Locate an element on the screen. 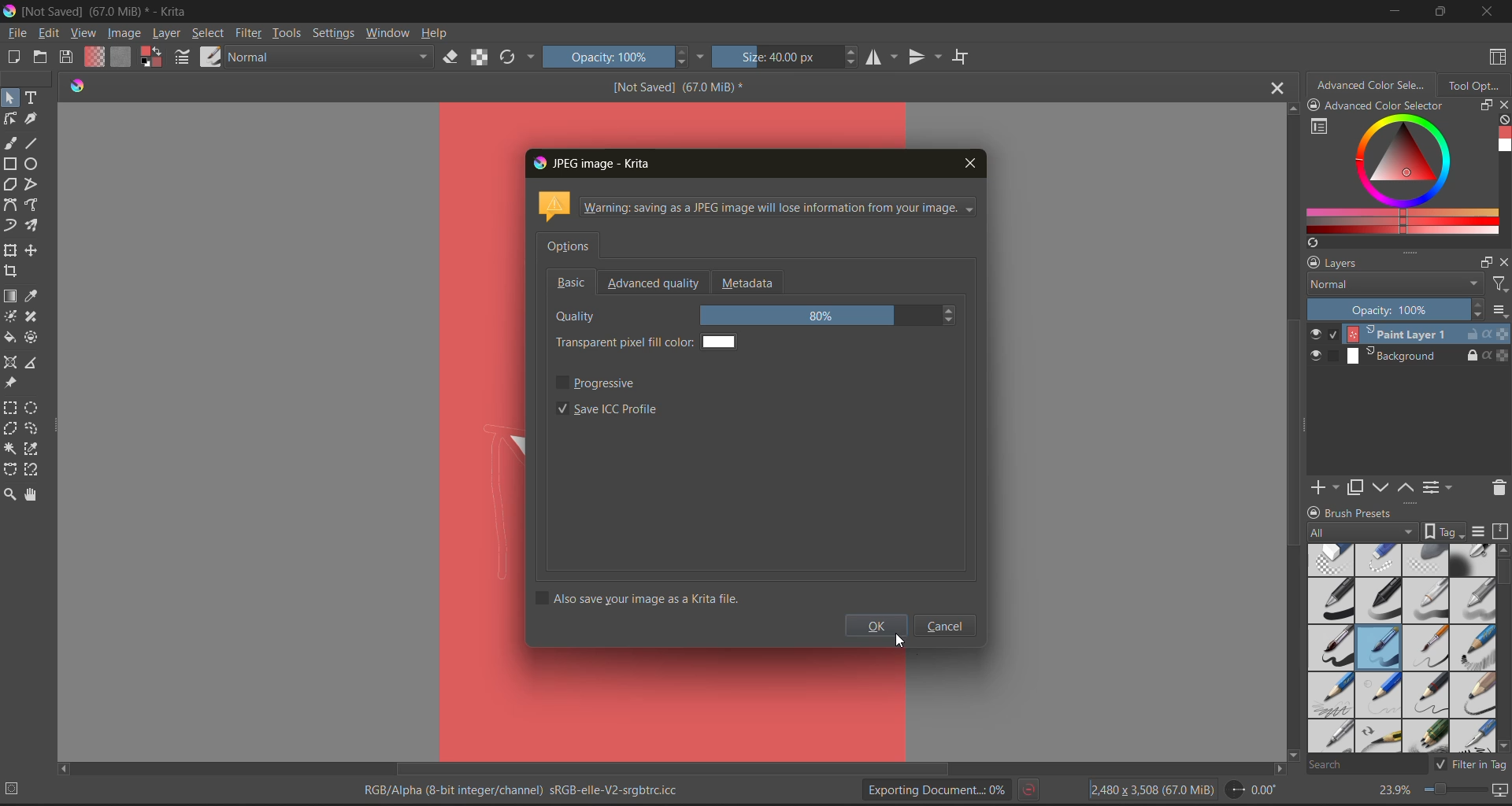 The width and height of the screenshot is (1512, 806). set eraser mode is located at coordinates (450, 58).